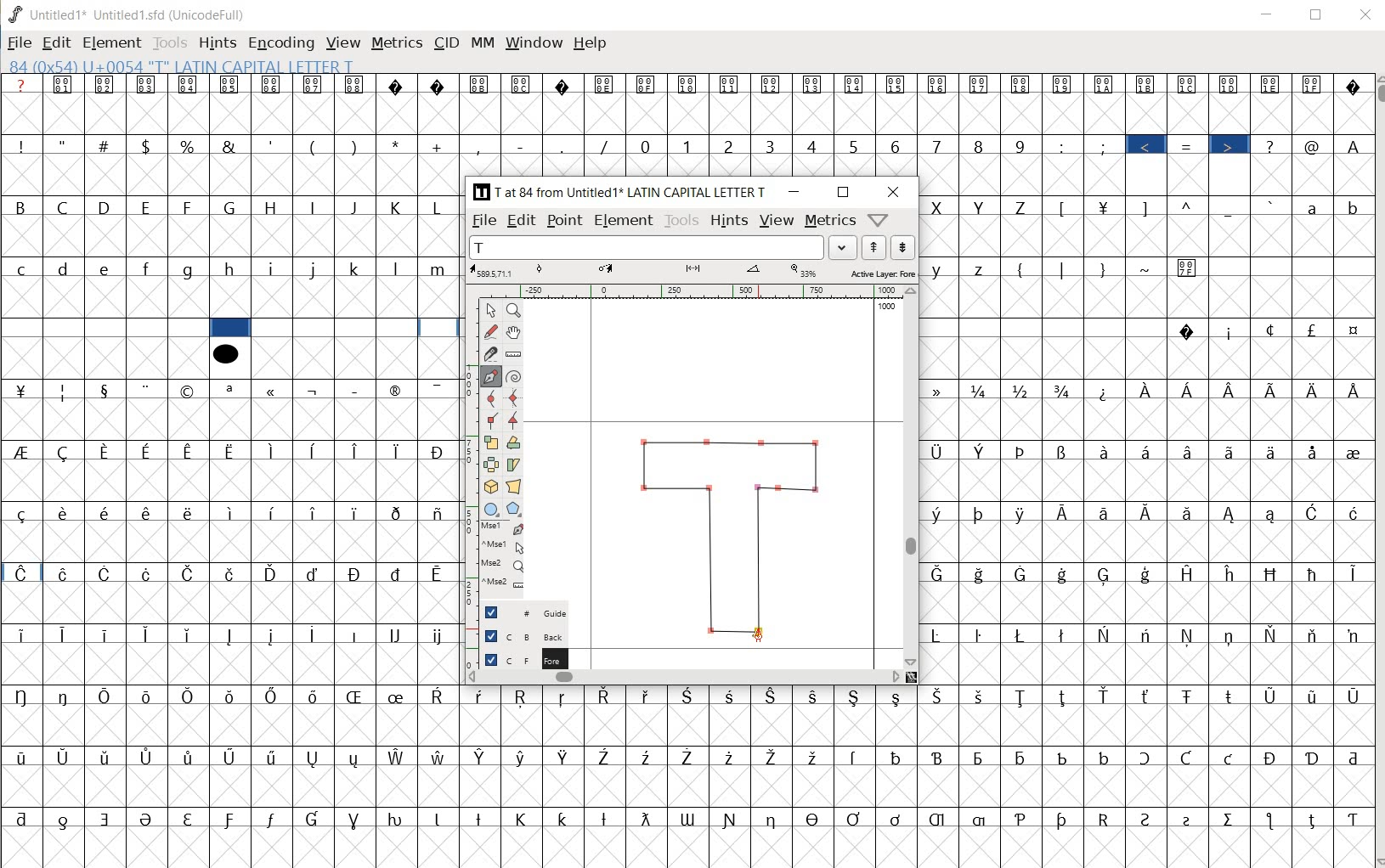 This screenshot has width=1385, height=868. I want to click on Symbol, so click(272, 451).